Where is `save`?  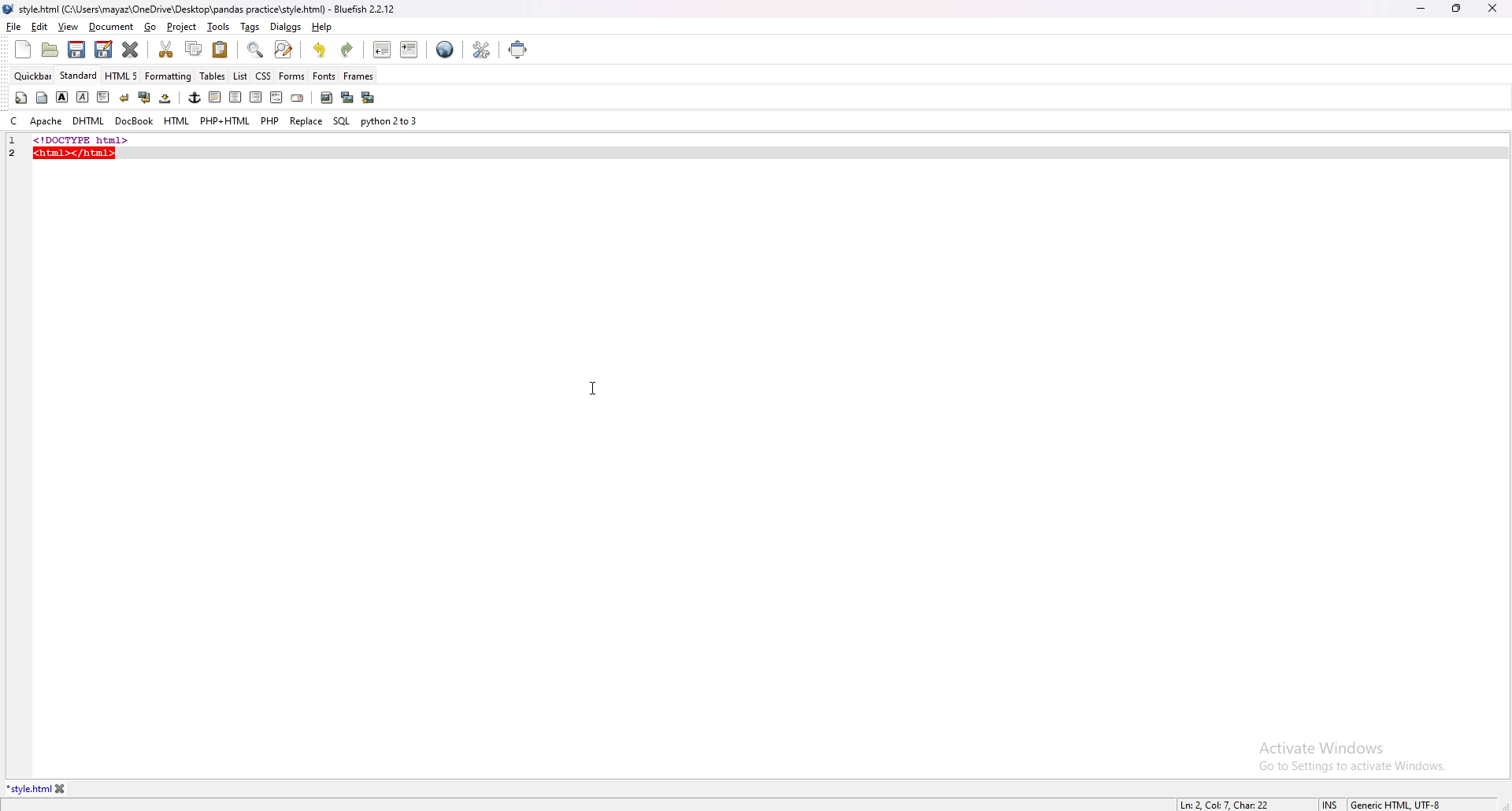
save is located at coordinates (77, 50).